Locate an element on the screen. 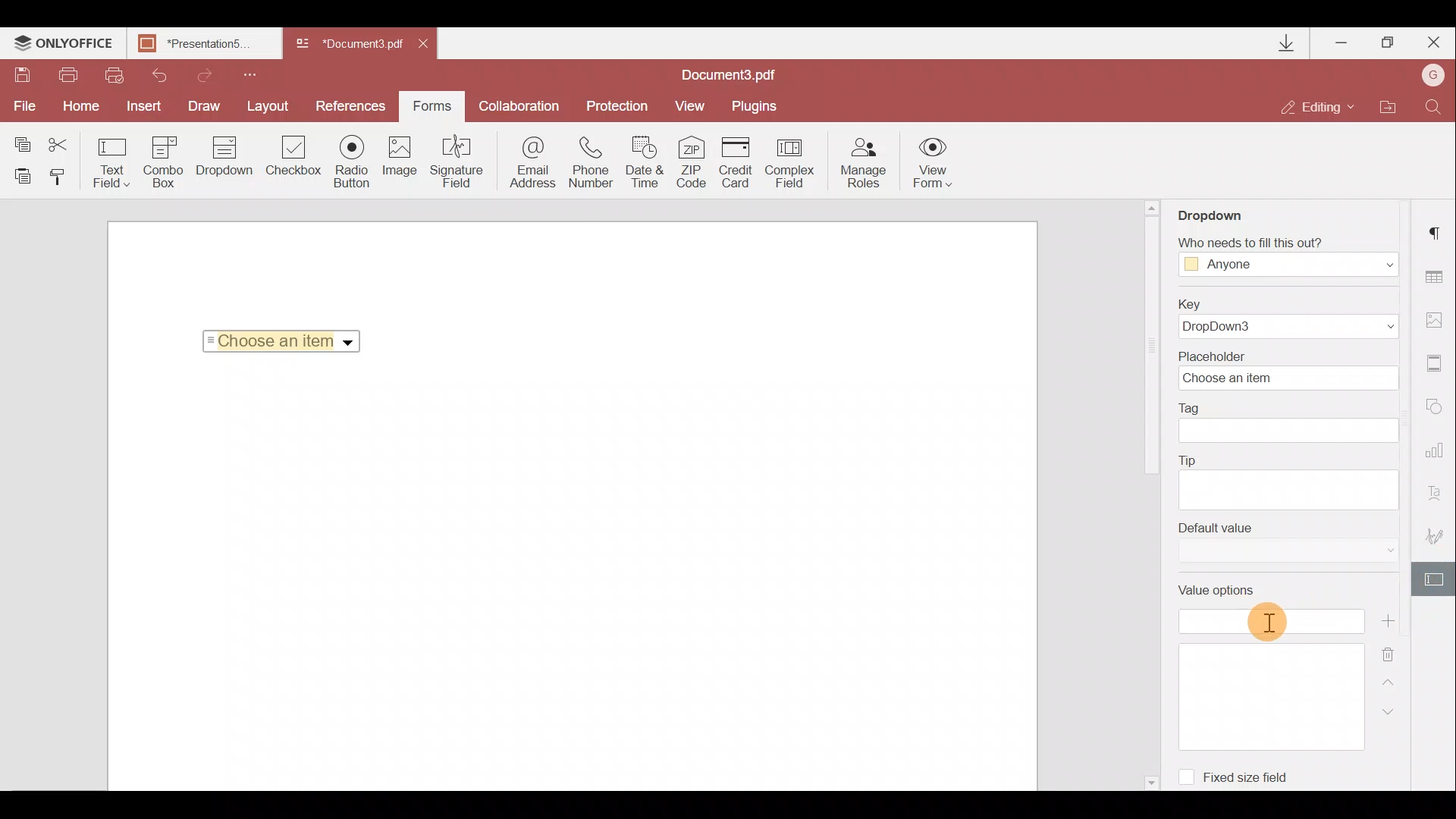 The image size is (1456, 819). Document name is located at coordinates (736, 74).